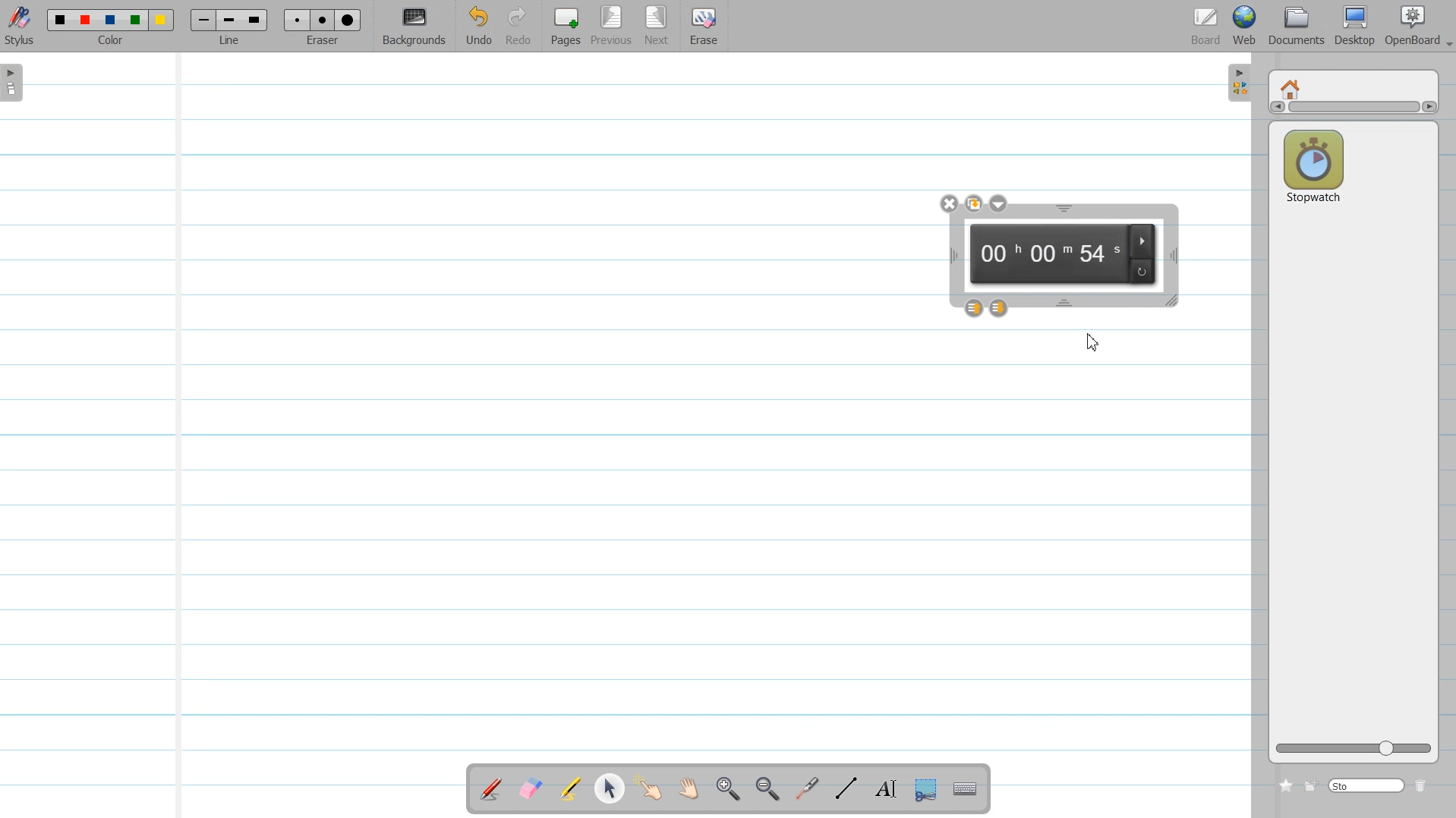  I want to click on Desktop, so click(1355, 26).